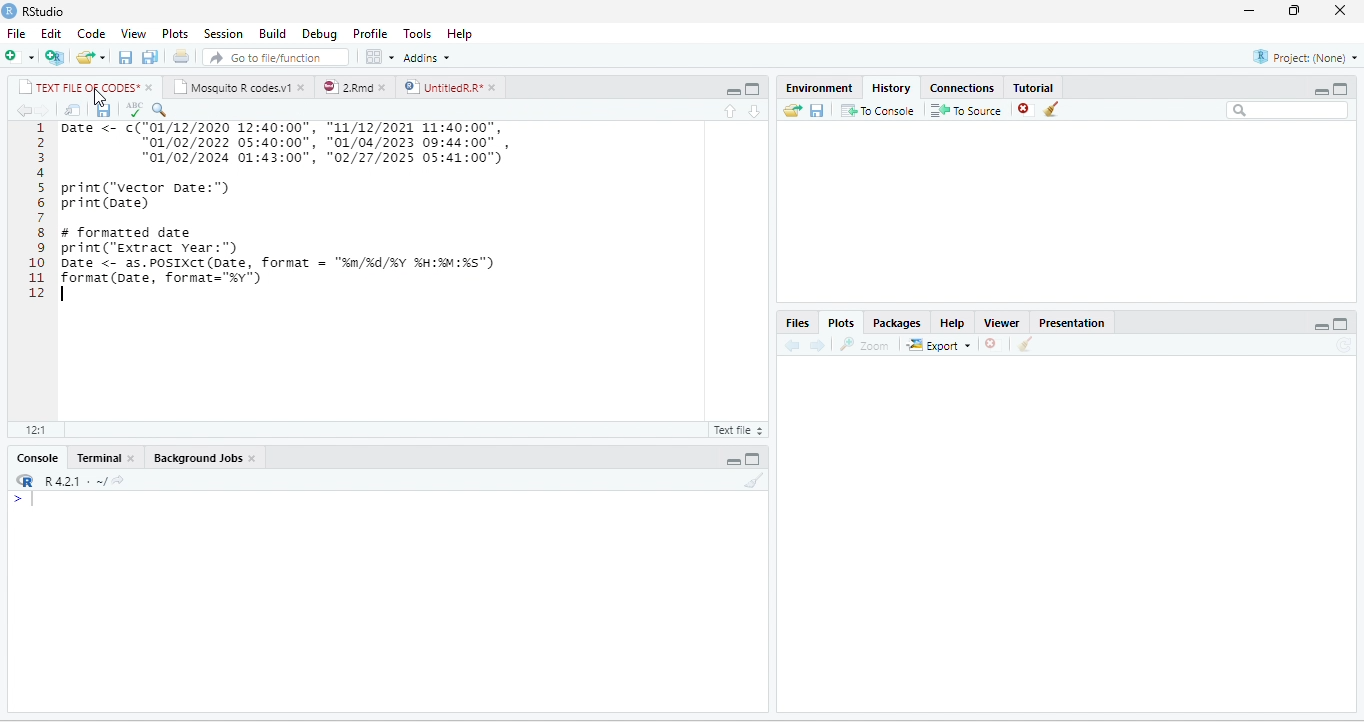  What do you see at coordinates (146, 196) in the screenshot?
I see `print(“vector Date:")print (Date)` at bounding box center [146, 196].